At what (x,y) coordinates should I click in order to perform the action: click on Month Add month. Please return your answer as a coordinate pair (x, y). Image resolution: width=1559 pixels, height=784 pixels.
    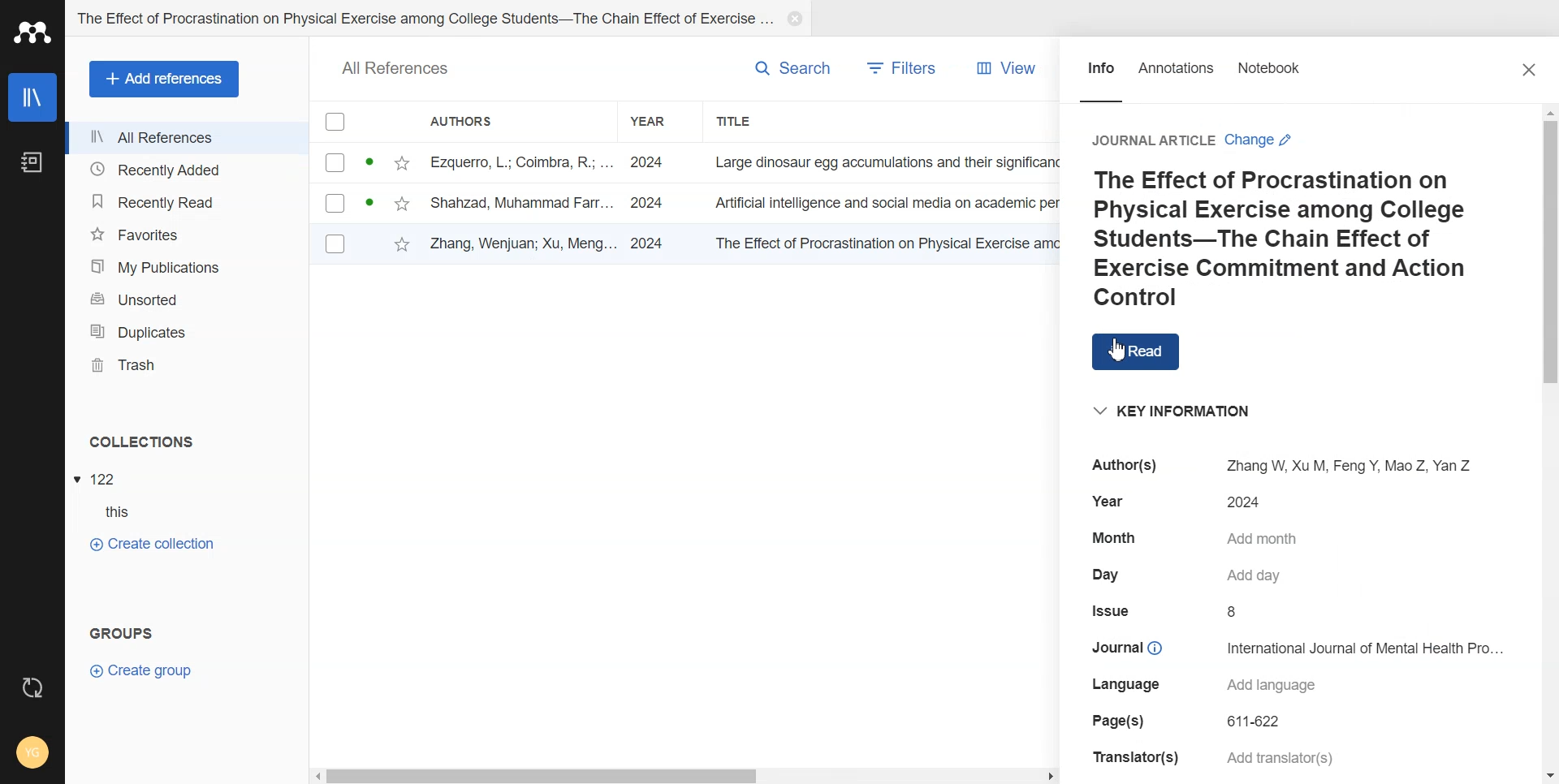
    Looking at the image, I should click on (1198, 539).